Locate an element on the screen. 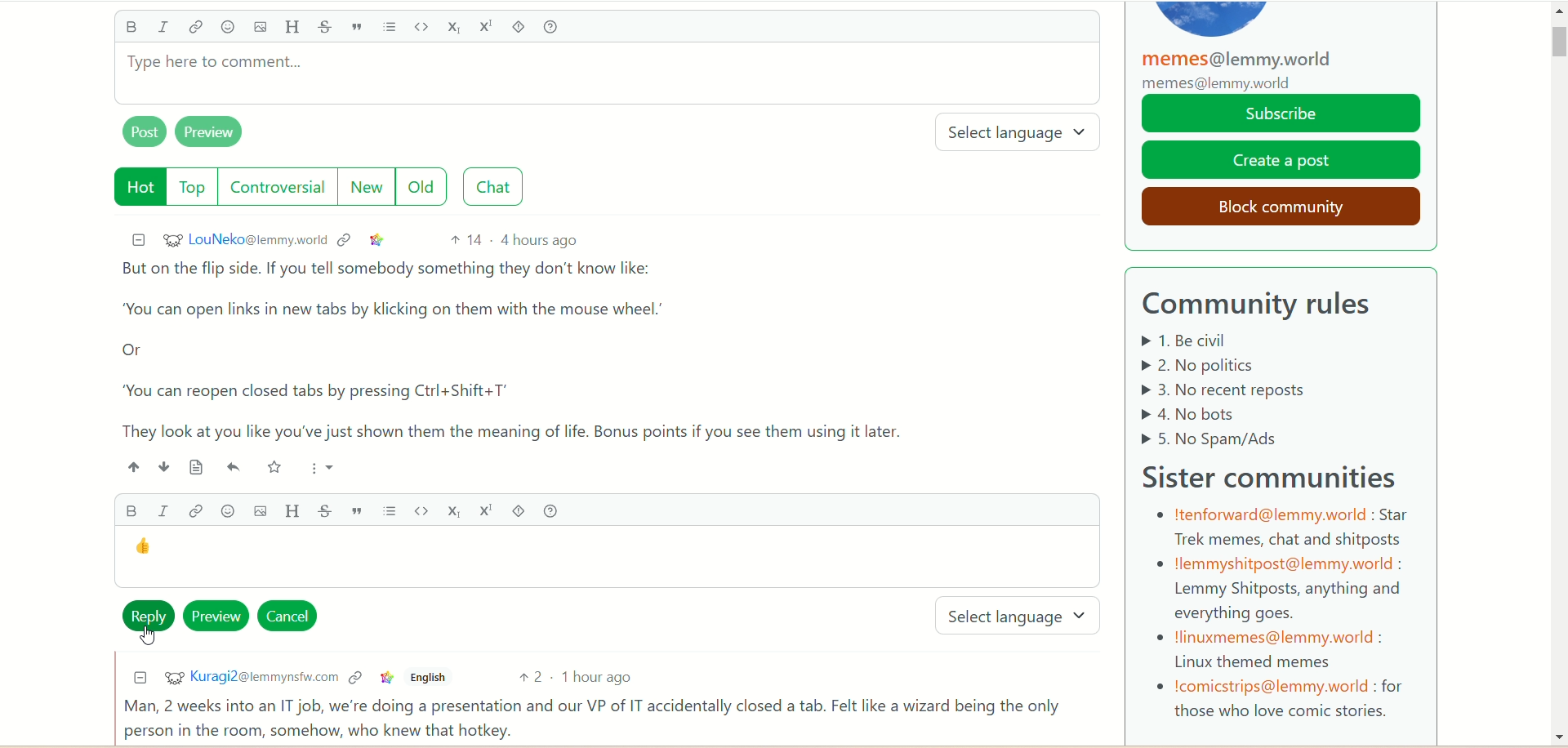 This screenshot has width=1568, height=748. username is located at coordinates (247, 676).